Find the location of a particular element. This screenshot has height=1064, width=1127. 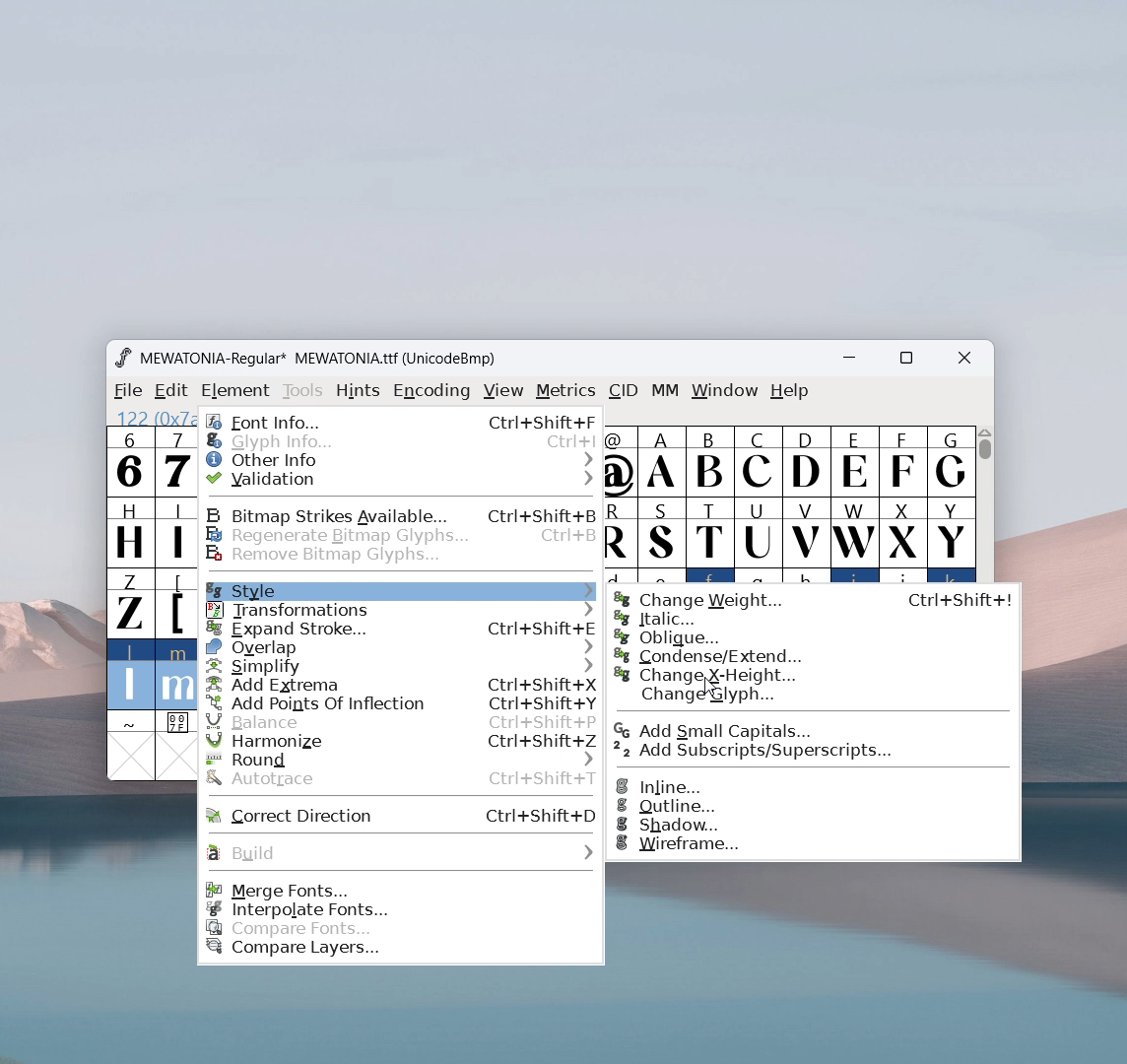

minimize is located at coordinates (856, 361).